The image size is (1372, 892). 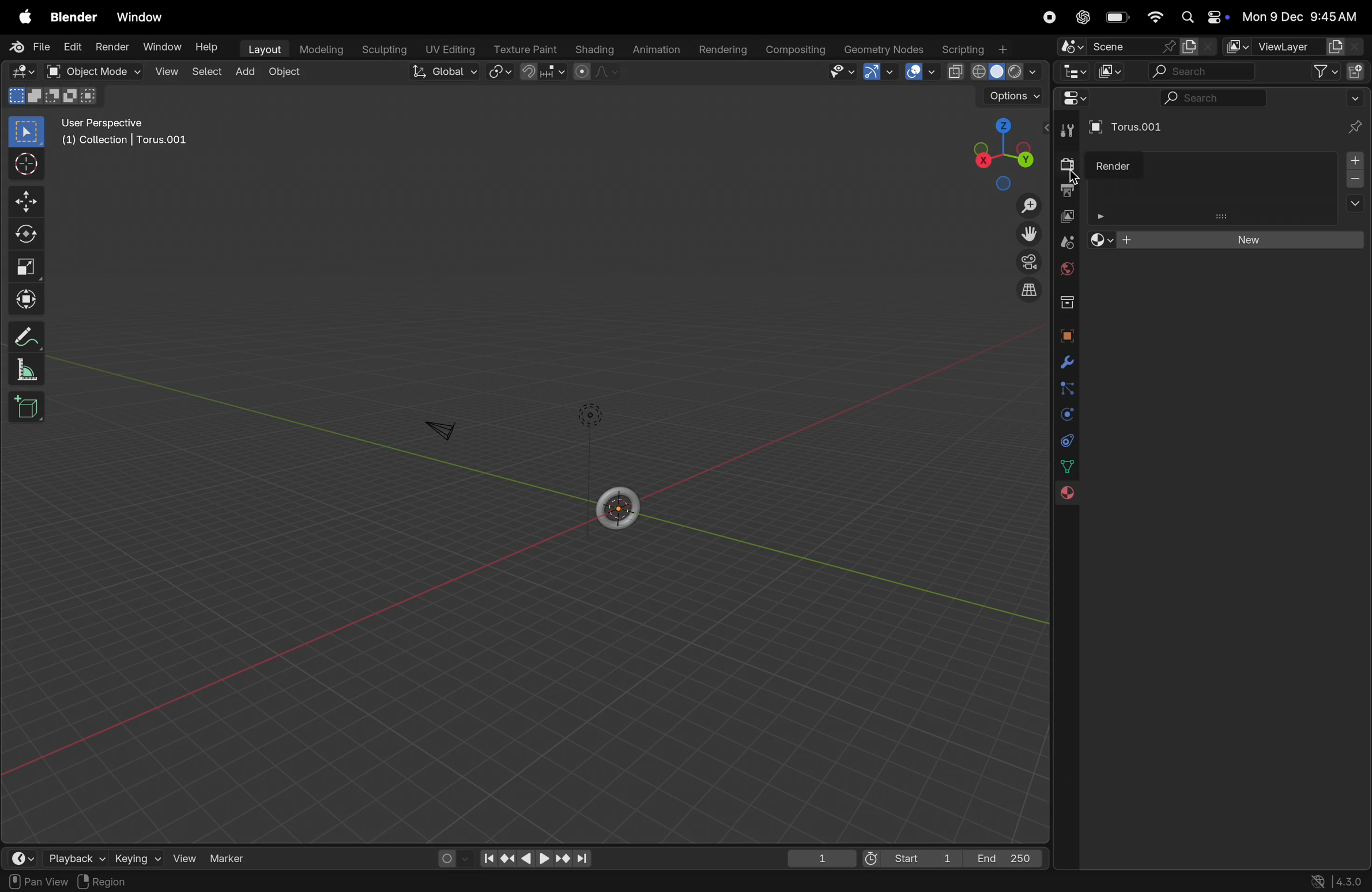 I want to click on mode, so click(x=52, y=97).